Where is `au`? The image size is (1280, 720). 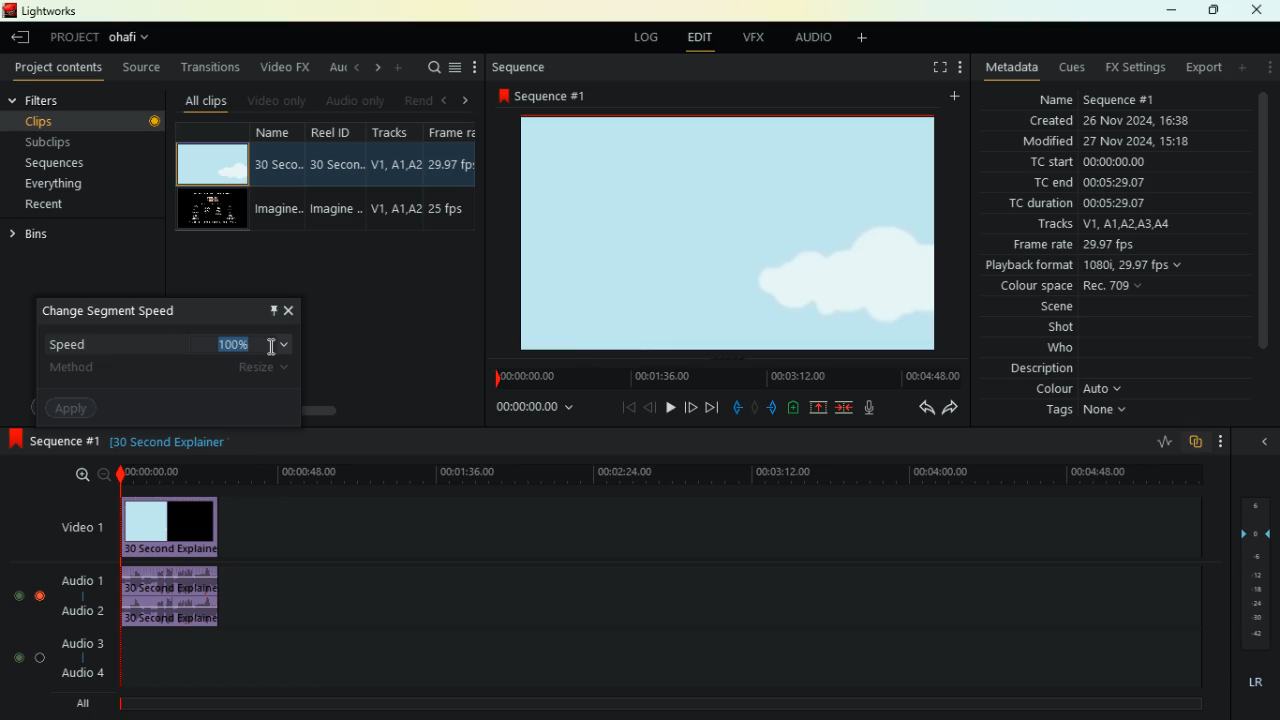 au is located at coordinates (338, 69).